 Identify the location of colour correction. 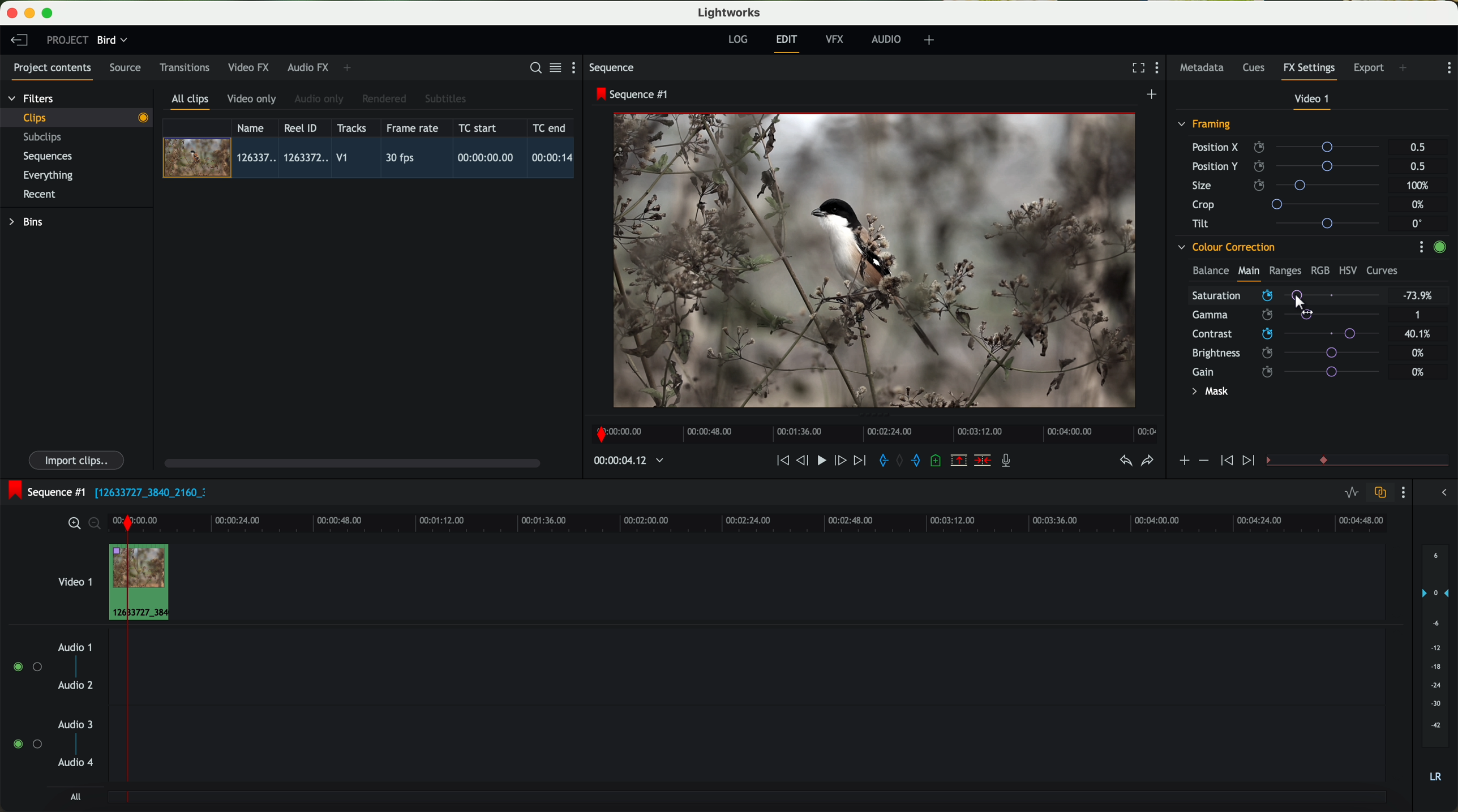
(1225, 247).